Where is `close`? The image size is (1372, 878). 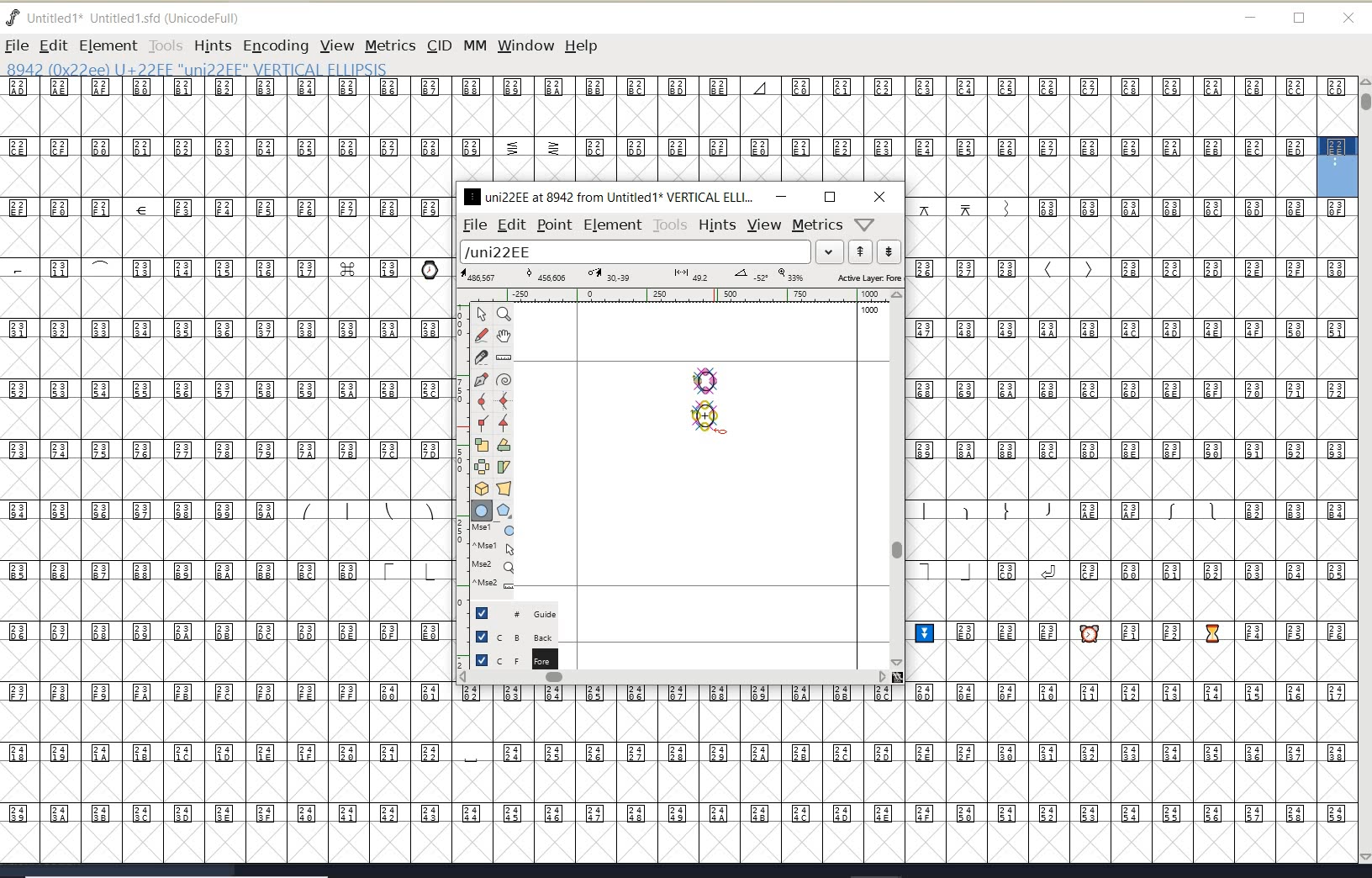 close is located at coordinates (880, 197).